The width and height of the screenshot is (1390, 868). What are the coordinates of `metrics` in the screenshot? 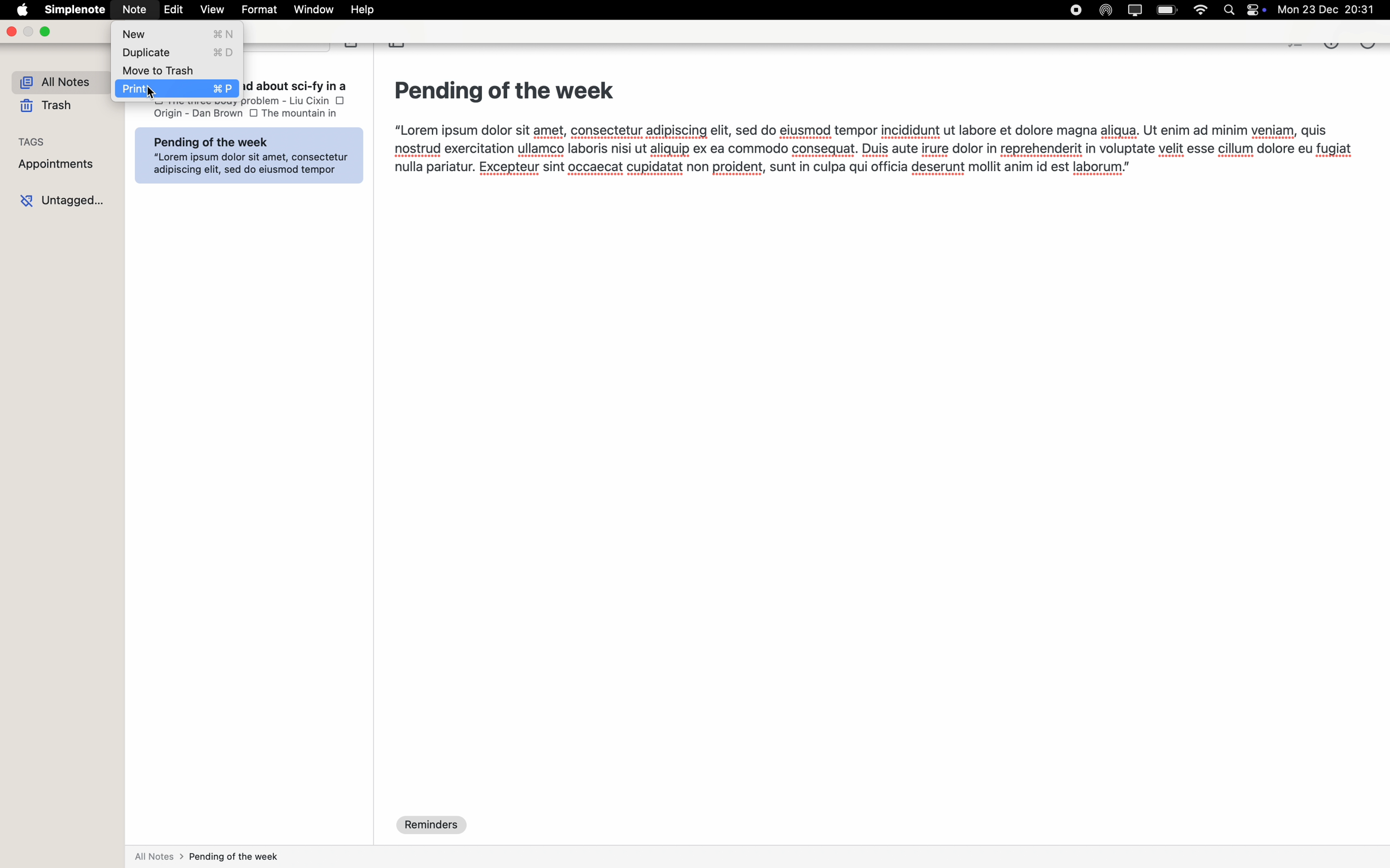 It's located at (1331, 49).